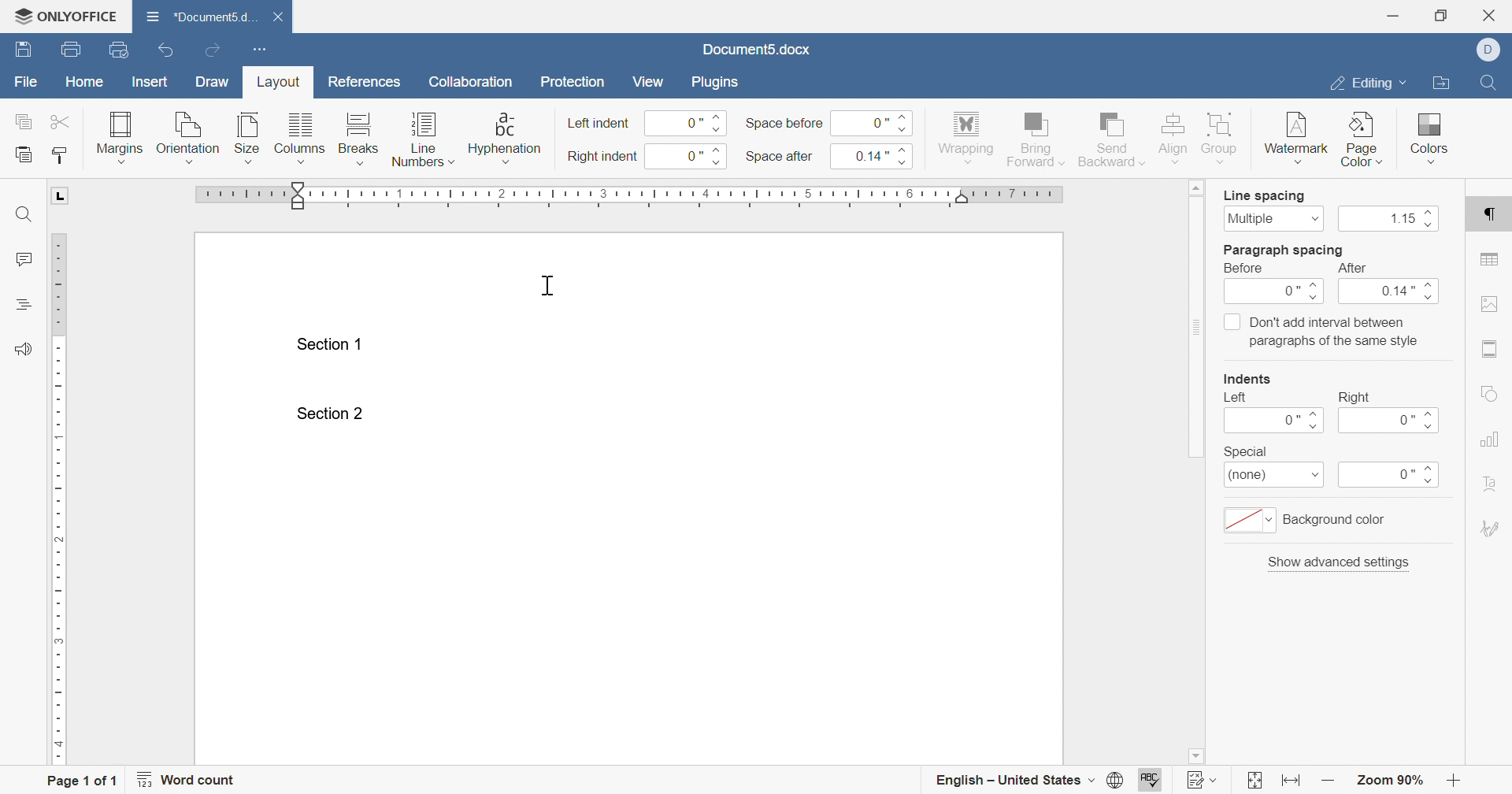 This screenshot has width=1512, height=794. I want to click on minimize, so click(1396, 15).